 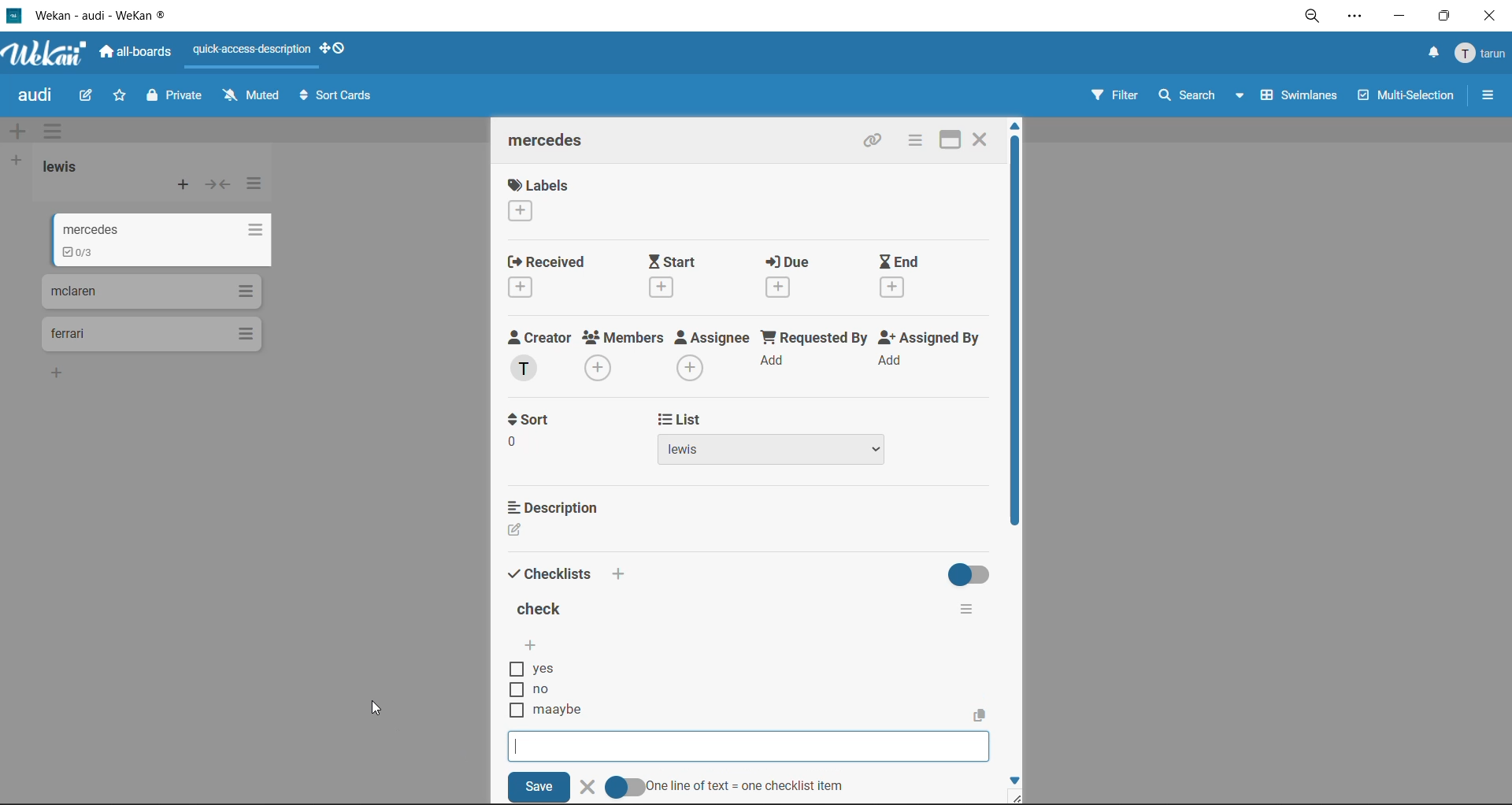 What do you see at coordinates (1203, 95) in the screenshot?
I see `search` at bounding box center [1203, 95].